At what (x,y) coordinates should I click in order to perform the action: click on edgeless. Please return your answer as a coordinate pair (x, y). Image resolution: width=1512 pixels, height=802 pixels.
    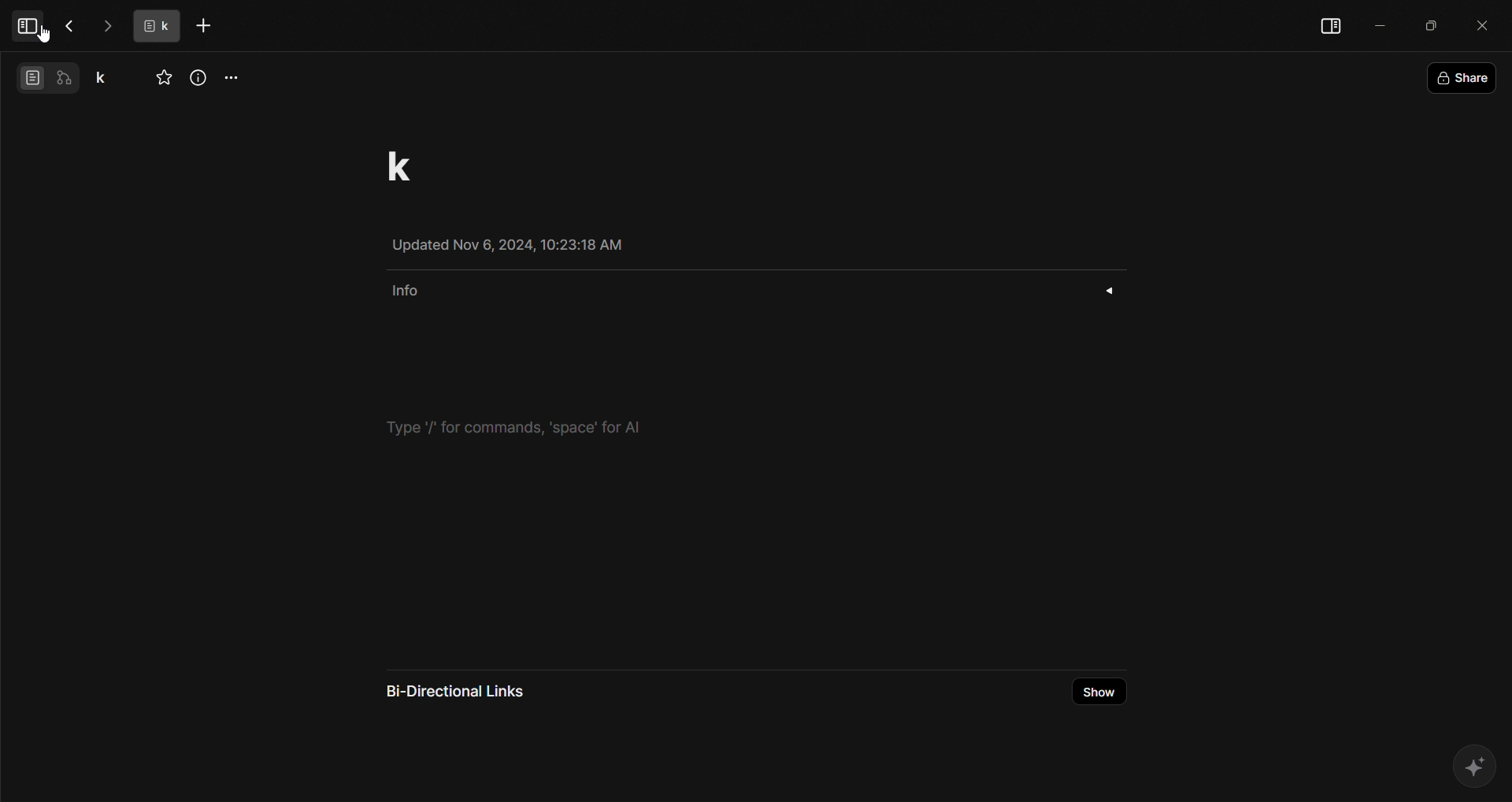
    Looking at the image, I should click on (67, 79).